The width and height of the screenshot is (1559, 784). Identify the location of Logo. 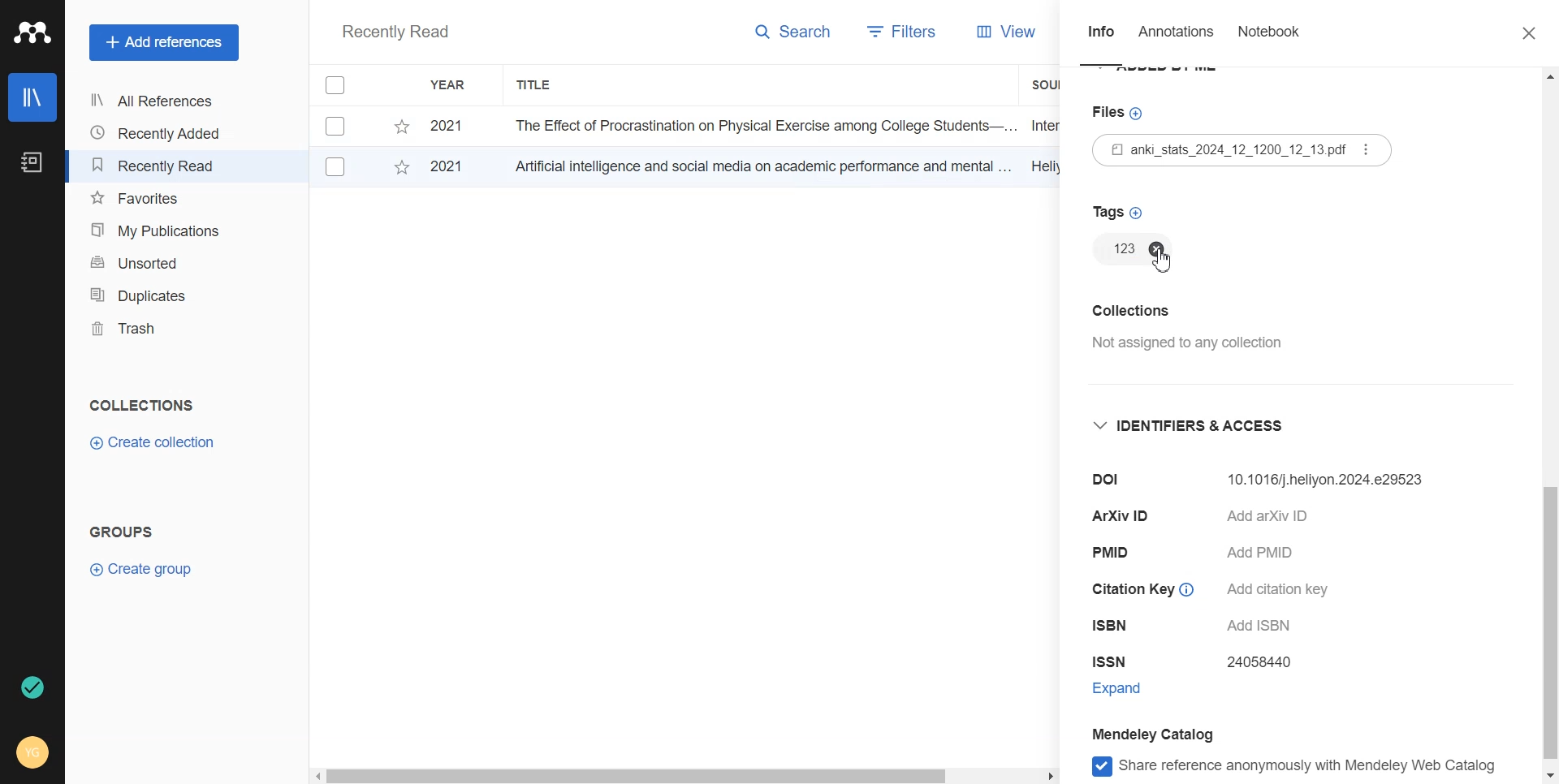
(32, 32).